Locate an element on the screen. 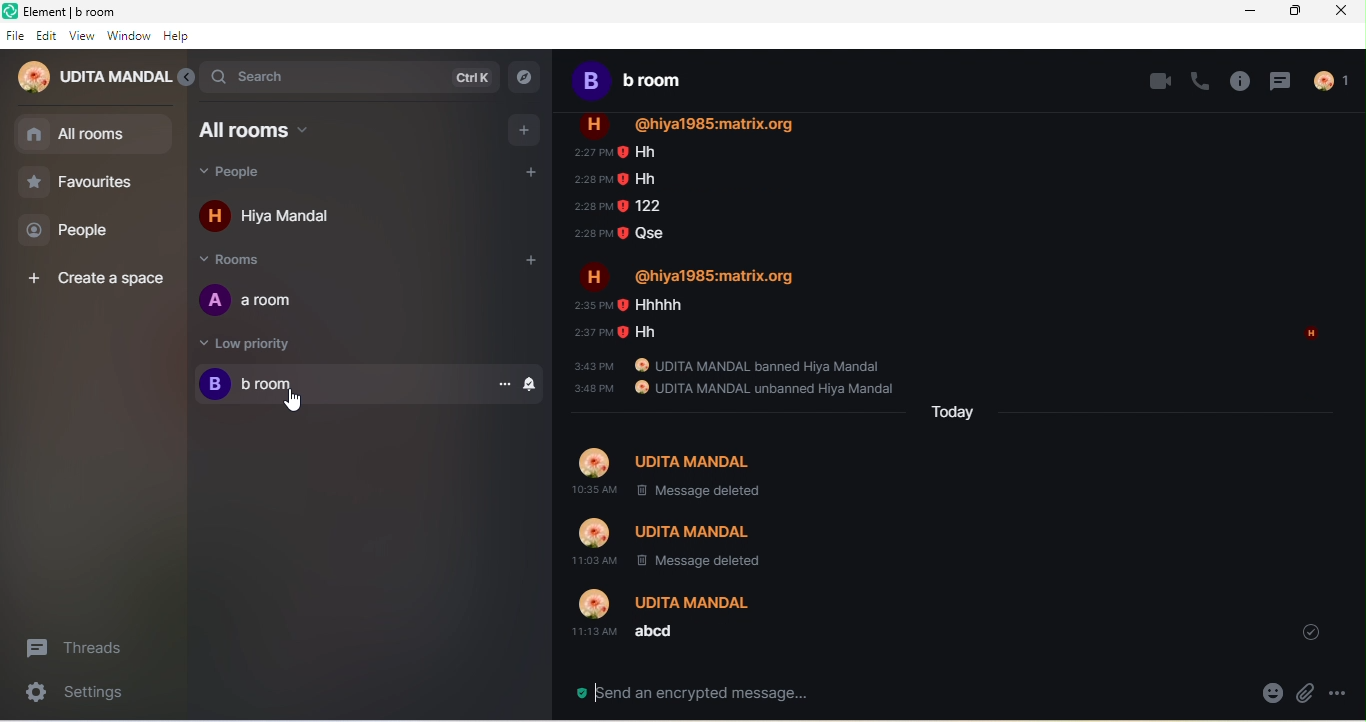 The image size is (1366, 722). add is located at coordinates (524, 129).